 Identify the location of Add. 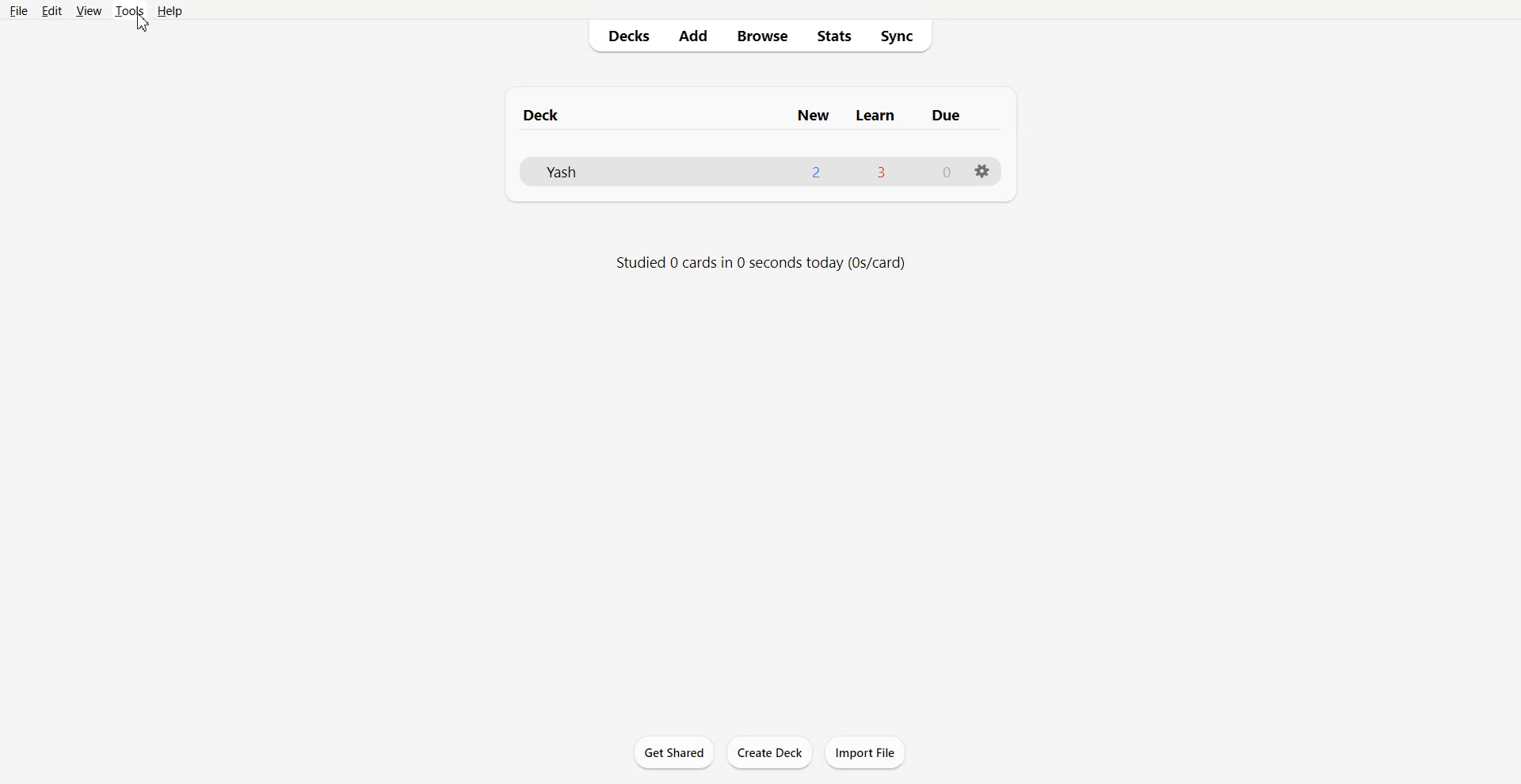
(694, 36).